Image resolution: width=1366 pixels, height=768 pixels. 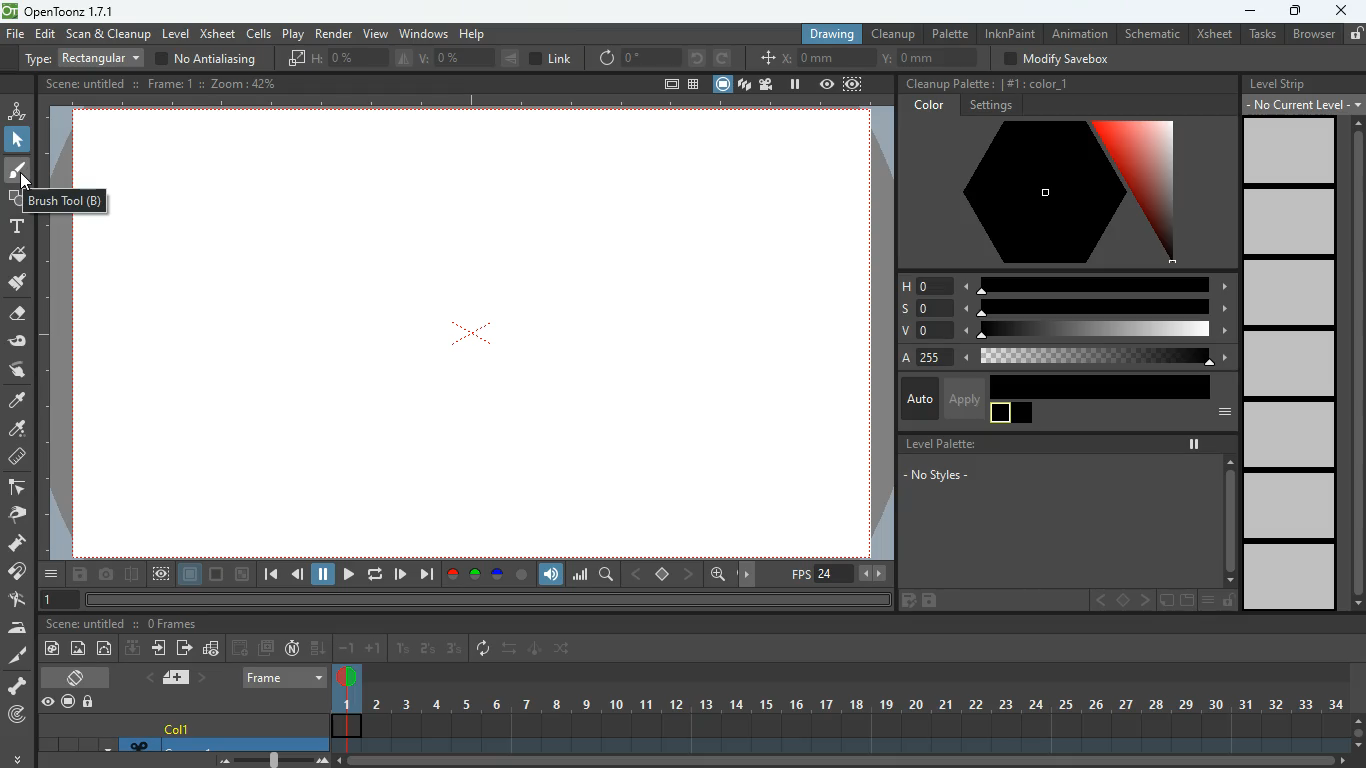 What do you see at coordinates (241, 648) in the screenshot?
I see `back` at bounding box center [241, 648].